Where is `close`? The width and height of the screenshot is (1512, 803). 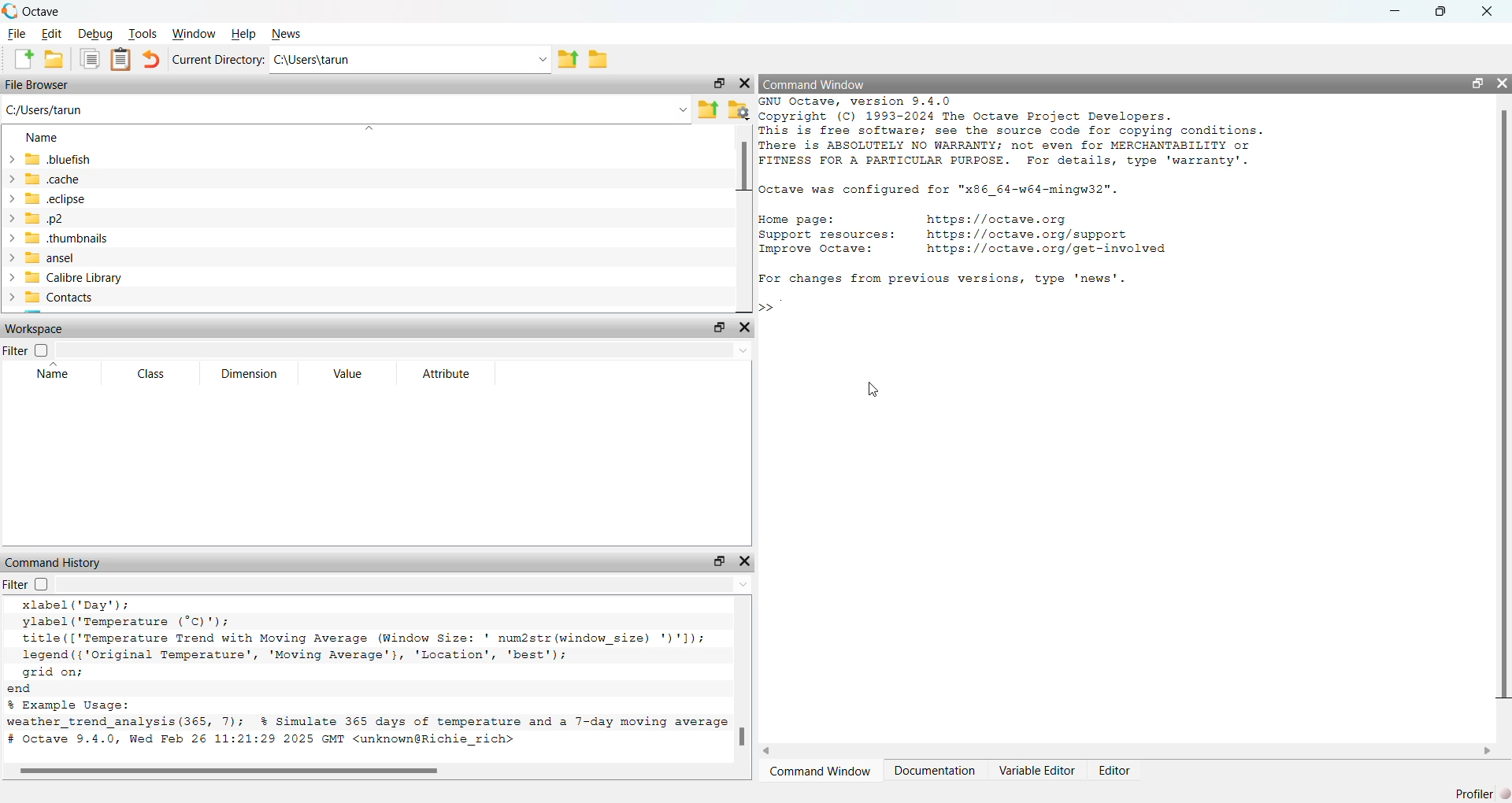 close is located at coordinates (751, 561).